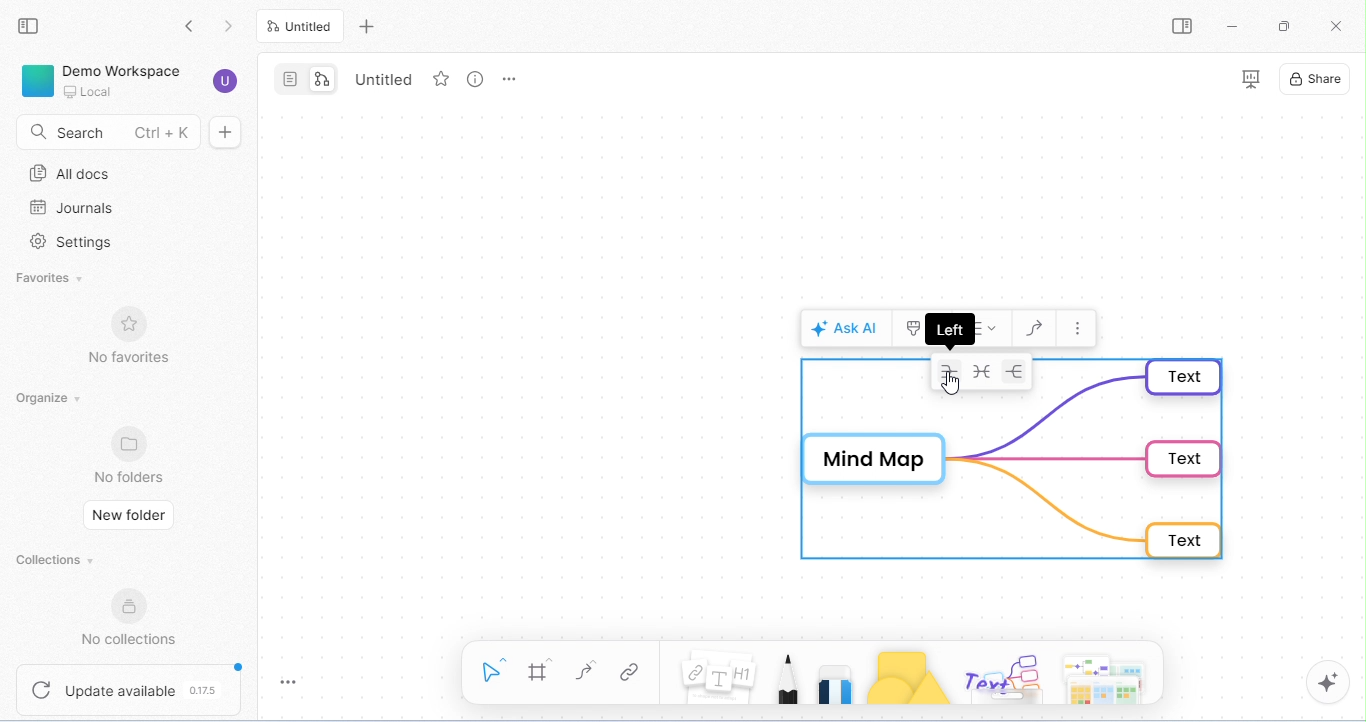  Describe the element at coordinates (950, 330) in the screenshot. I see `left dialog box` at that location.